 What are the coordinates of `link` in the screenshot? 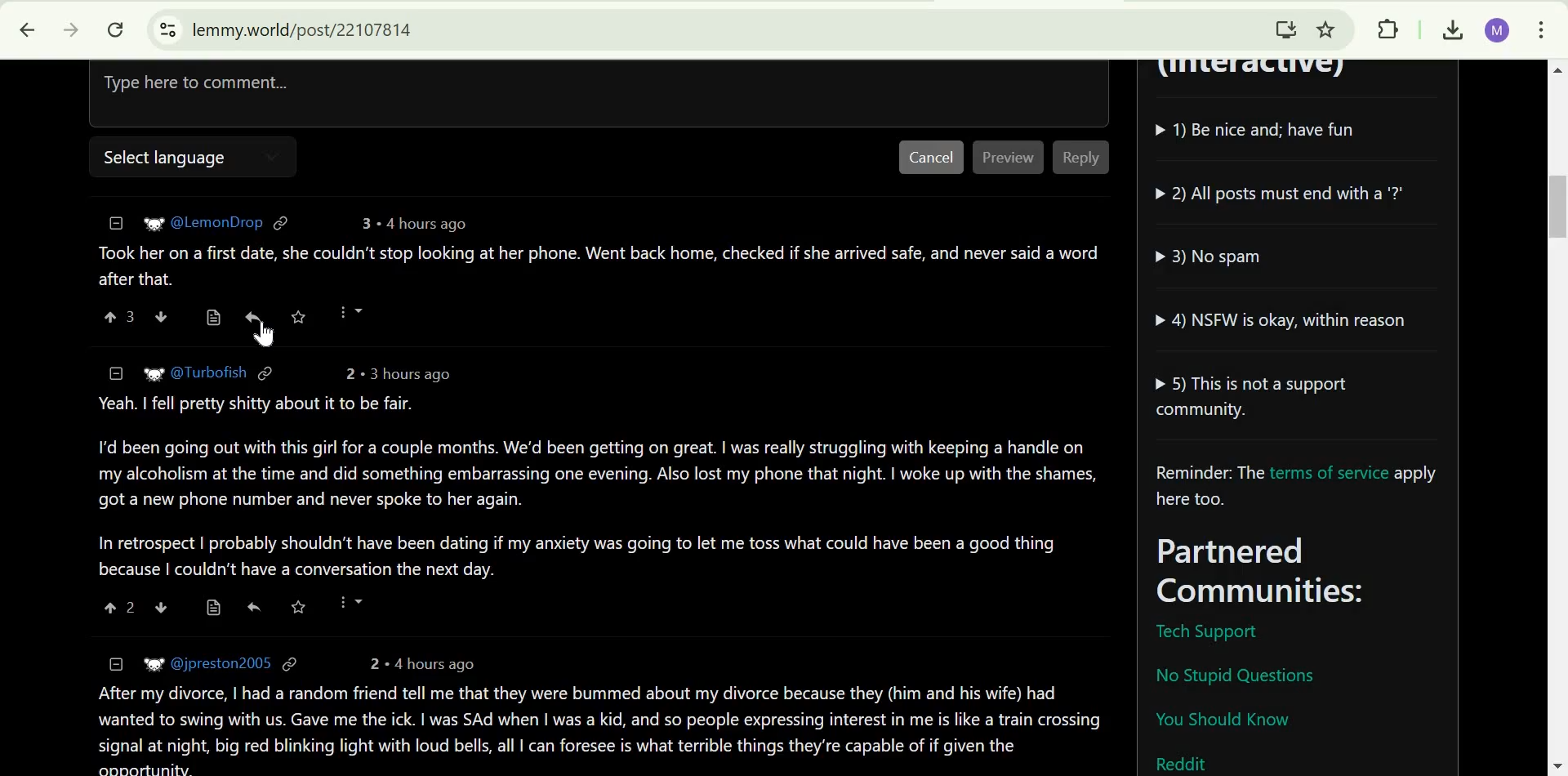 It's located at (264, 373).